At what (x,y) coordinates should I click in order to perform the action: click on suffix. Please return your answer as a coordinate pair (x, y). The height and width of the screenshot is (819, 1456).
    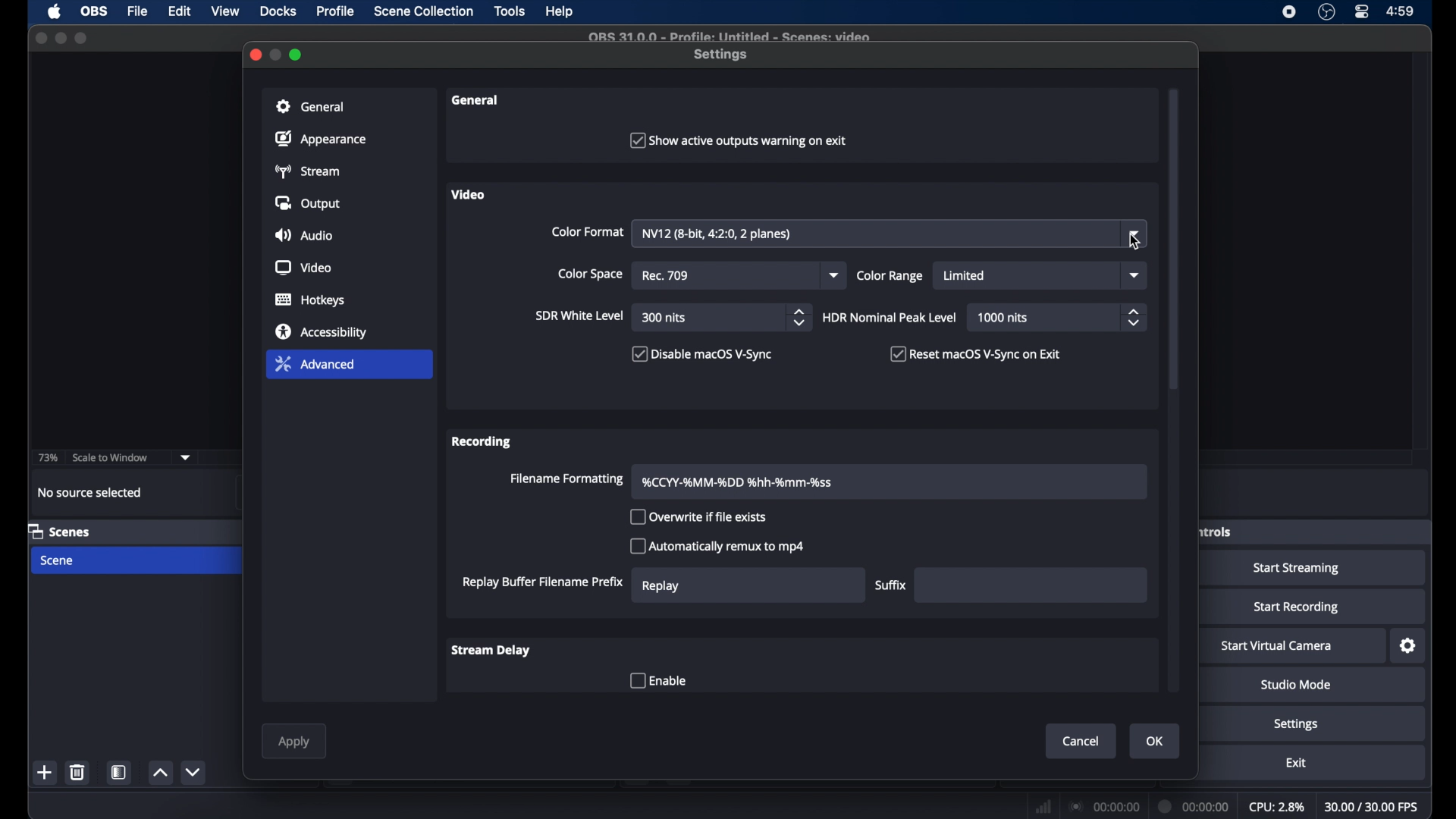
    Looking at the image, I should click on (890, 585).